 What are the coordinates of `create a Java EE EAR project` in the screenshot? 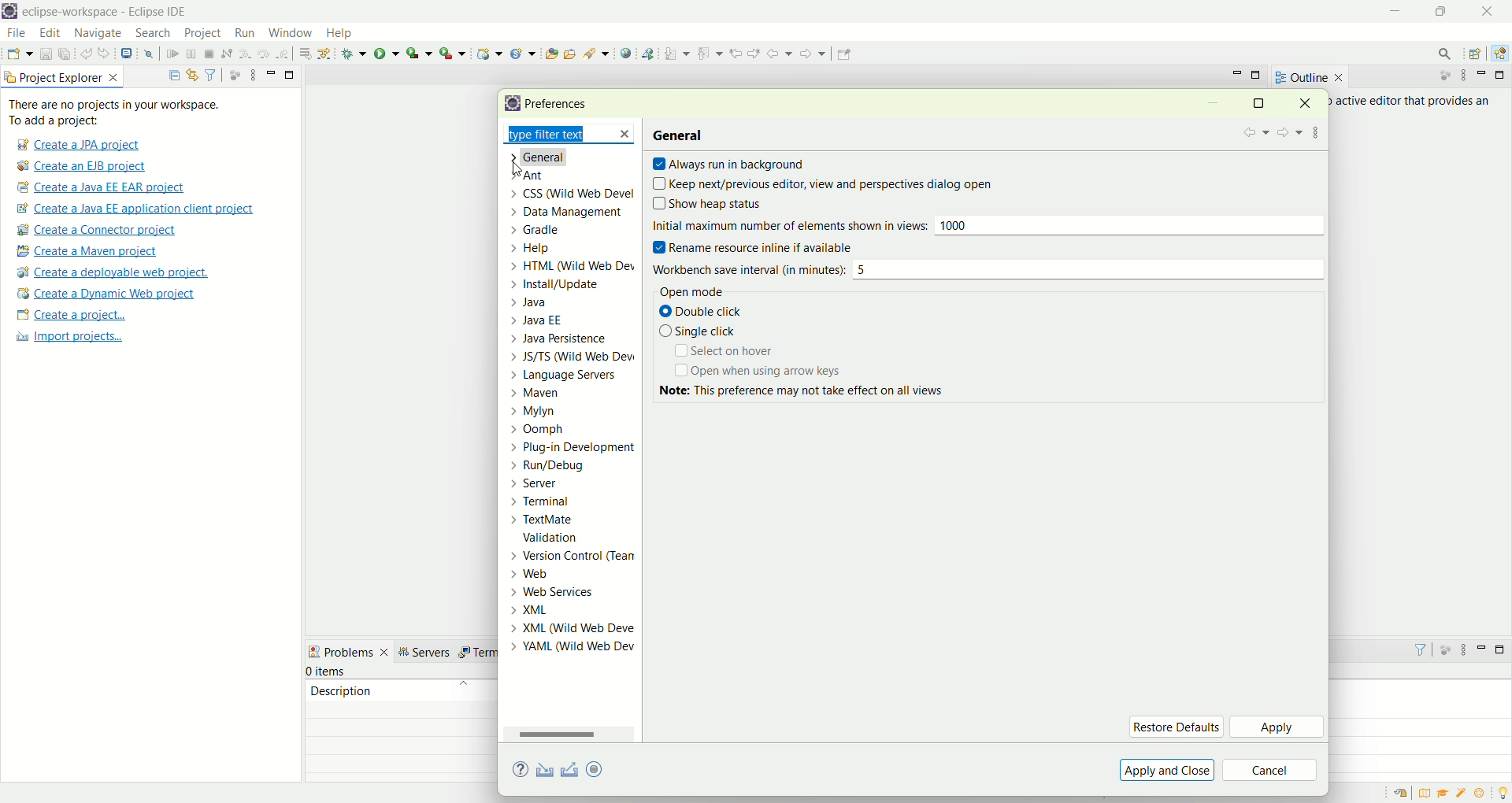 It's located at (102, 187).